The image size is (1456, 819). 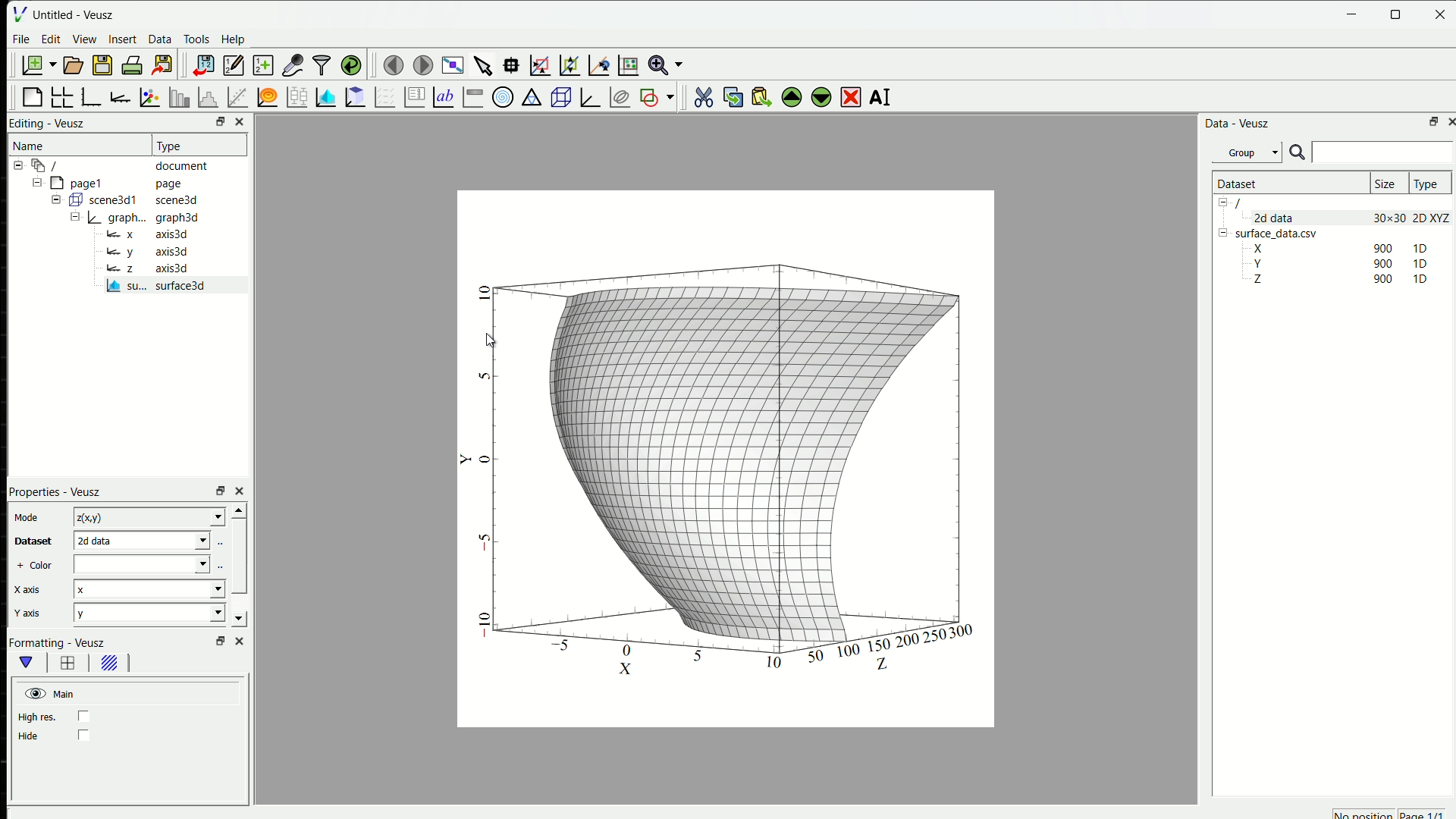 I want to click on Main, so click(x=50, y=695).